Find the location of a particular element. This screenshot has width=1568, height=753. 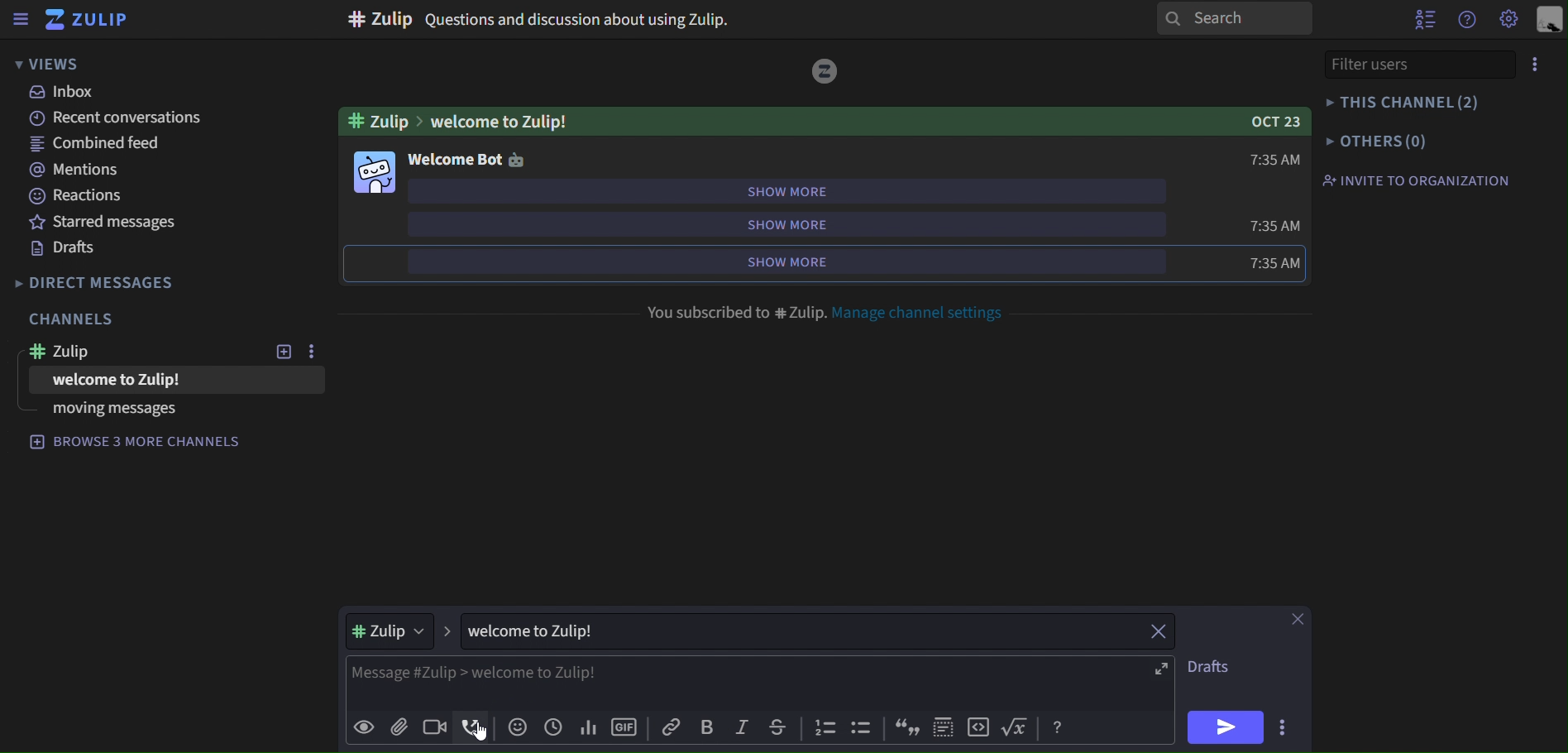

add video  call is located at coordinates (434, 728).